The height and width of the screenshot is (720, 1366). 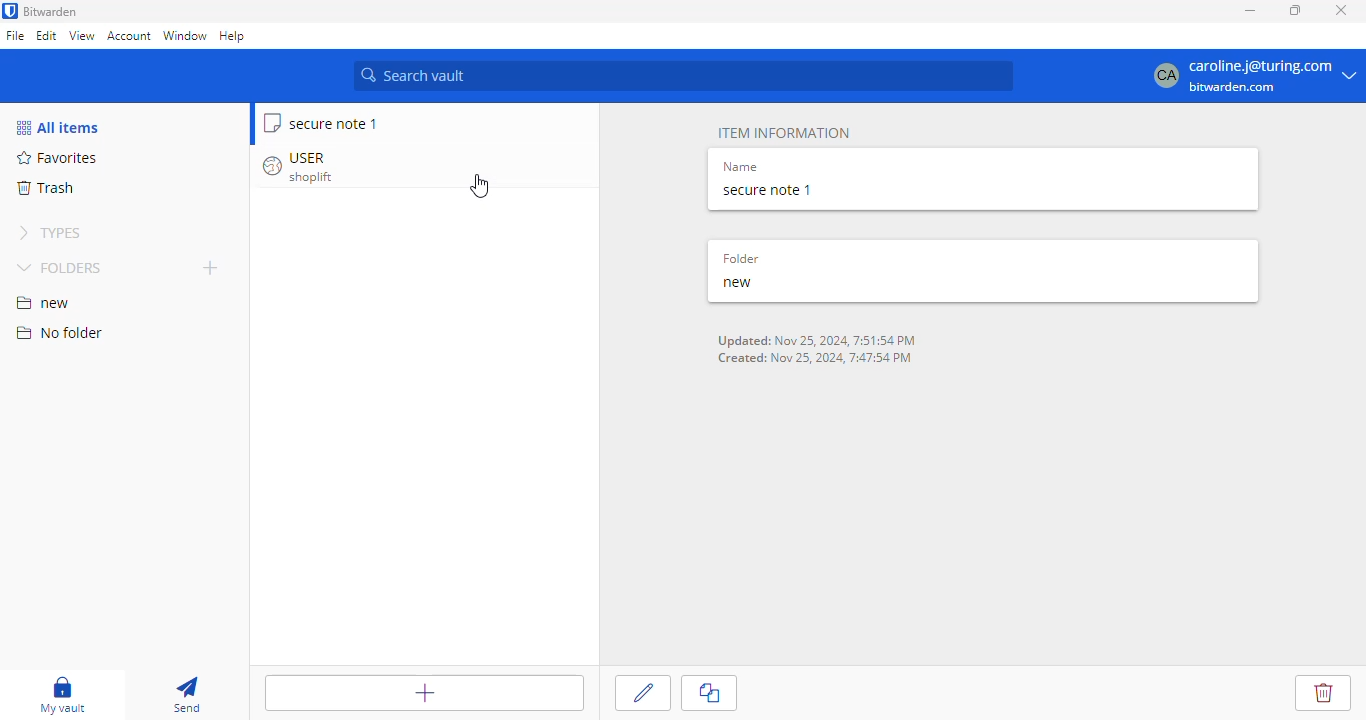 I want to click on item information, so click(x=783, y=133).